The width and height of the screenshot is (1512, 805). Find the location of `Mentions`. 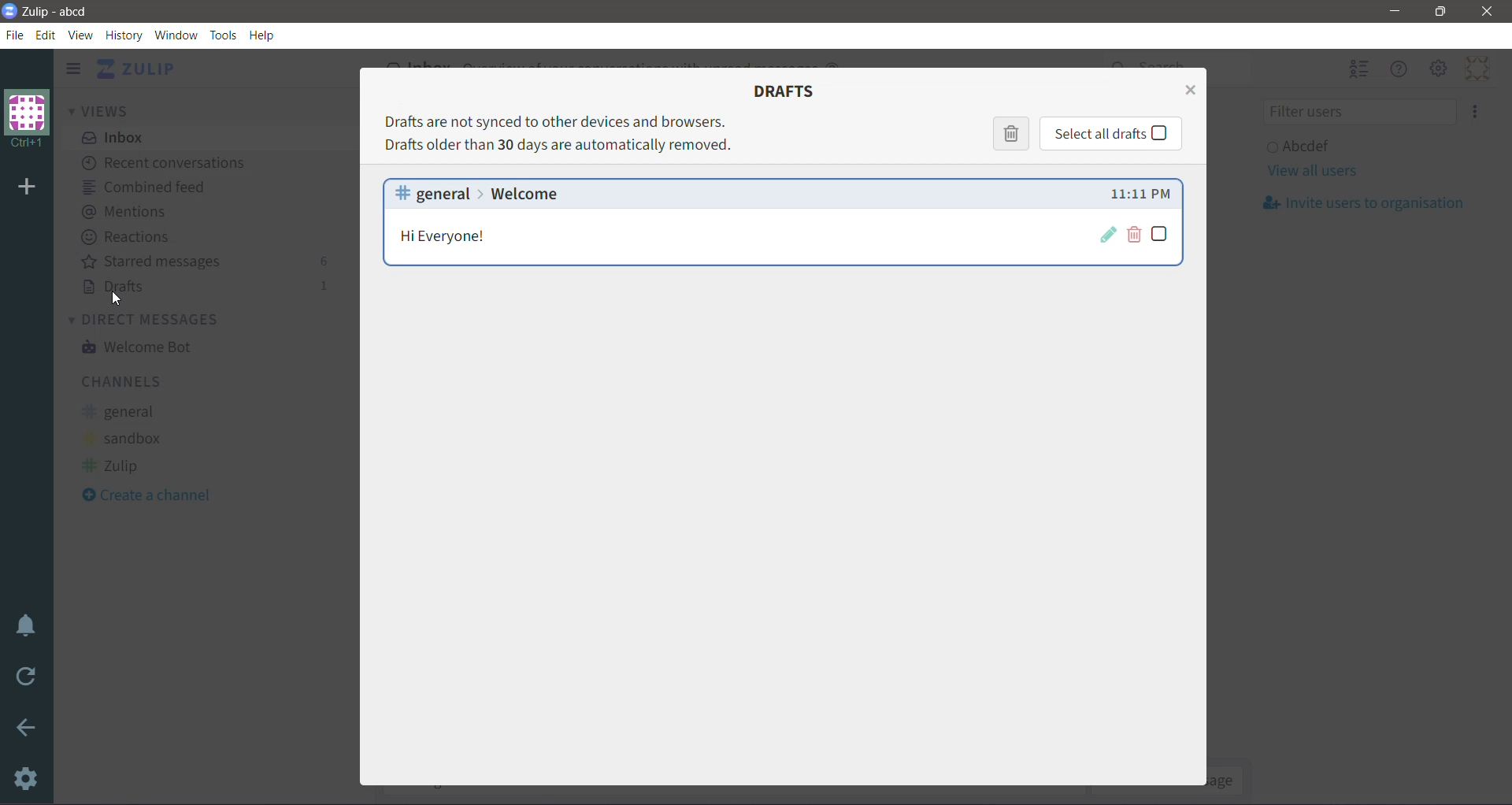

Mentions is located at coordinates (124, 210).